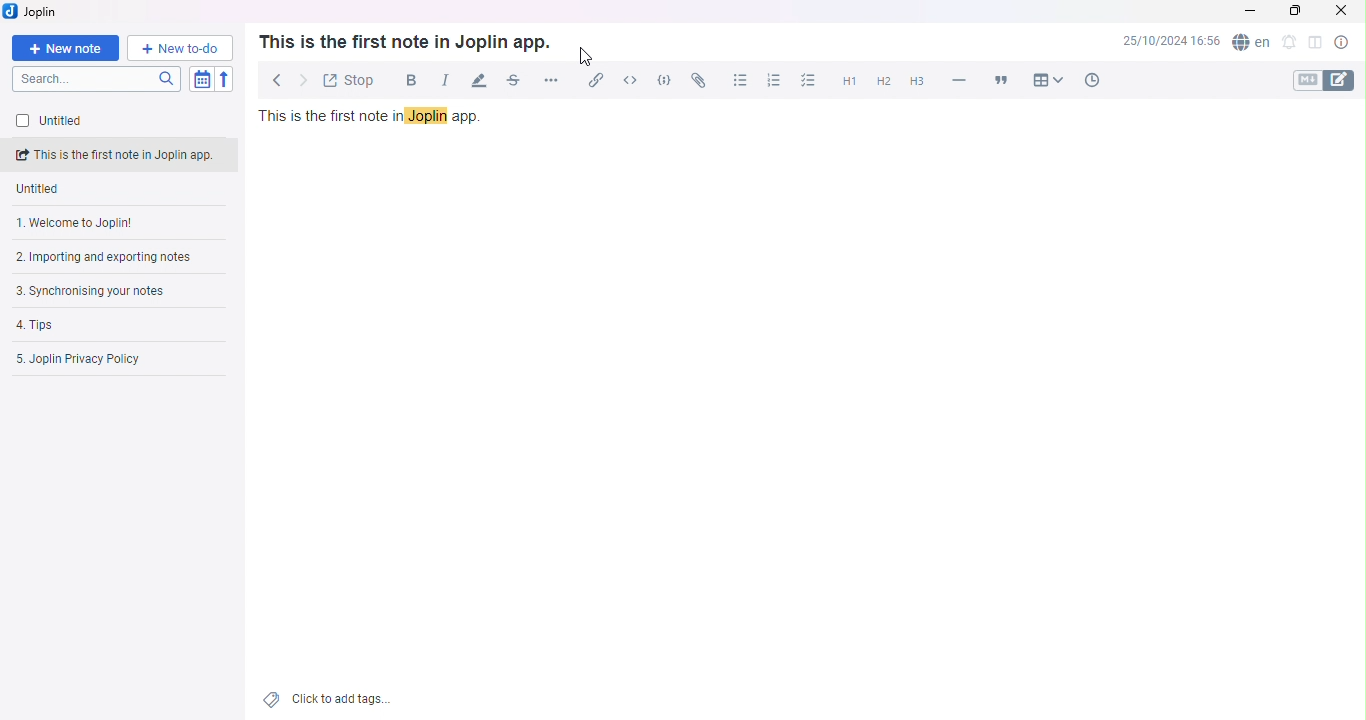 The width and height of the screenshot is (1366, 720). What do you see at coordinates (272, 76) in the screenshot?
I see `Back` at bounding box center [272, 76].